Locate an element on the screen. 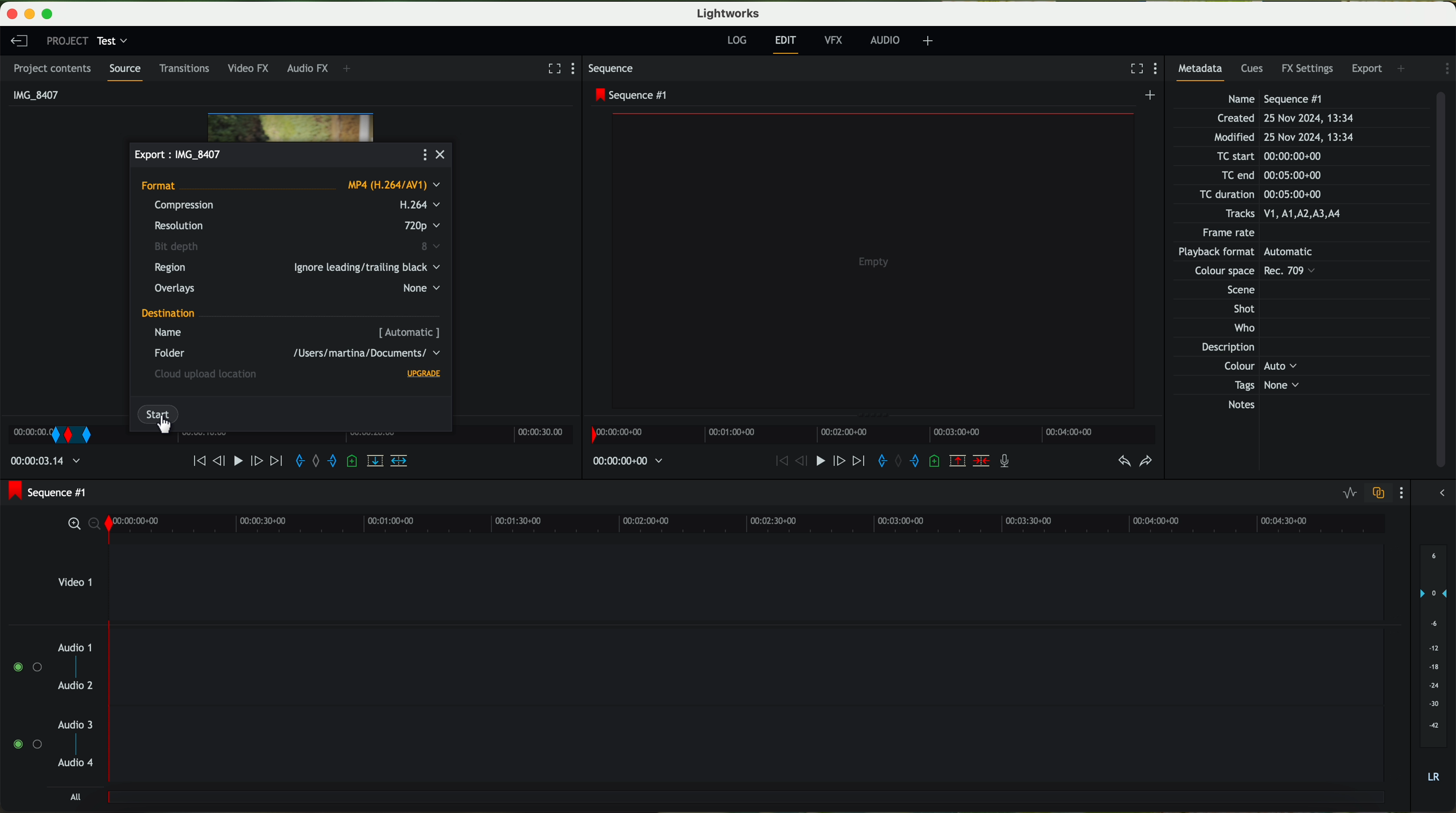 The width and height of the screenshot is (1456, 813). nudge one frame foward is located at coordinates (836, 461).